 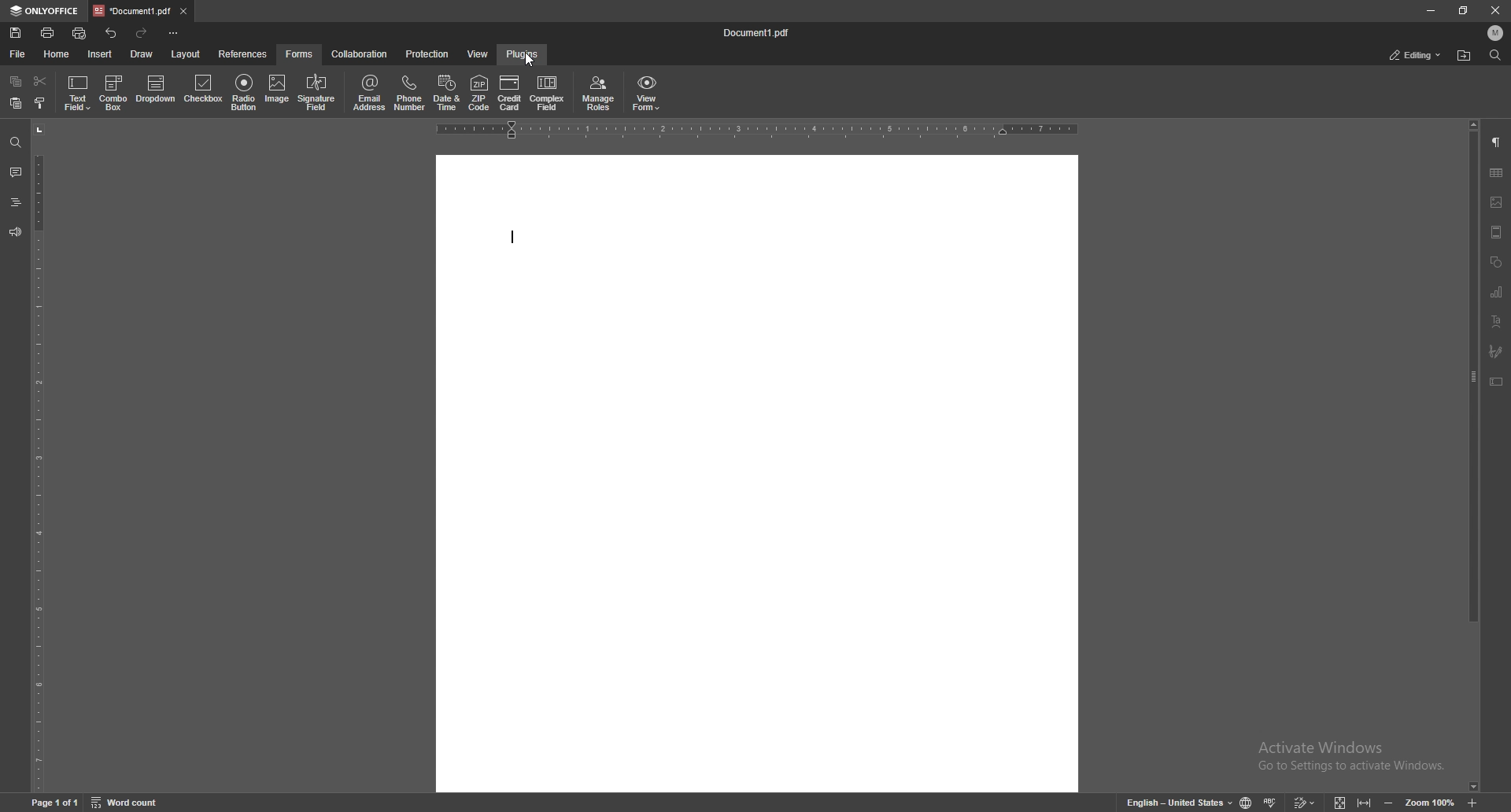 What do you see at coordinates (17, 54) in the screenshot?
I see `file` at bounding box center [17, 54].